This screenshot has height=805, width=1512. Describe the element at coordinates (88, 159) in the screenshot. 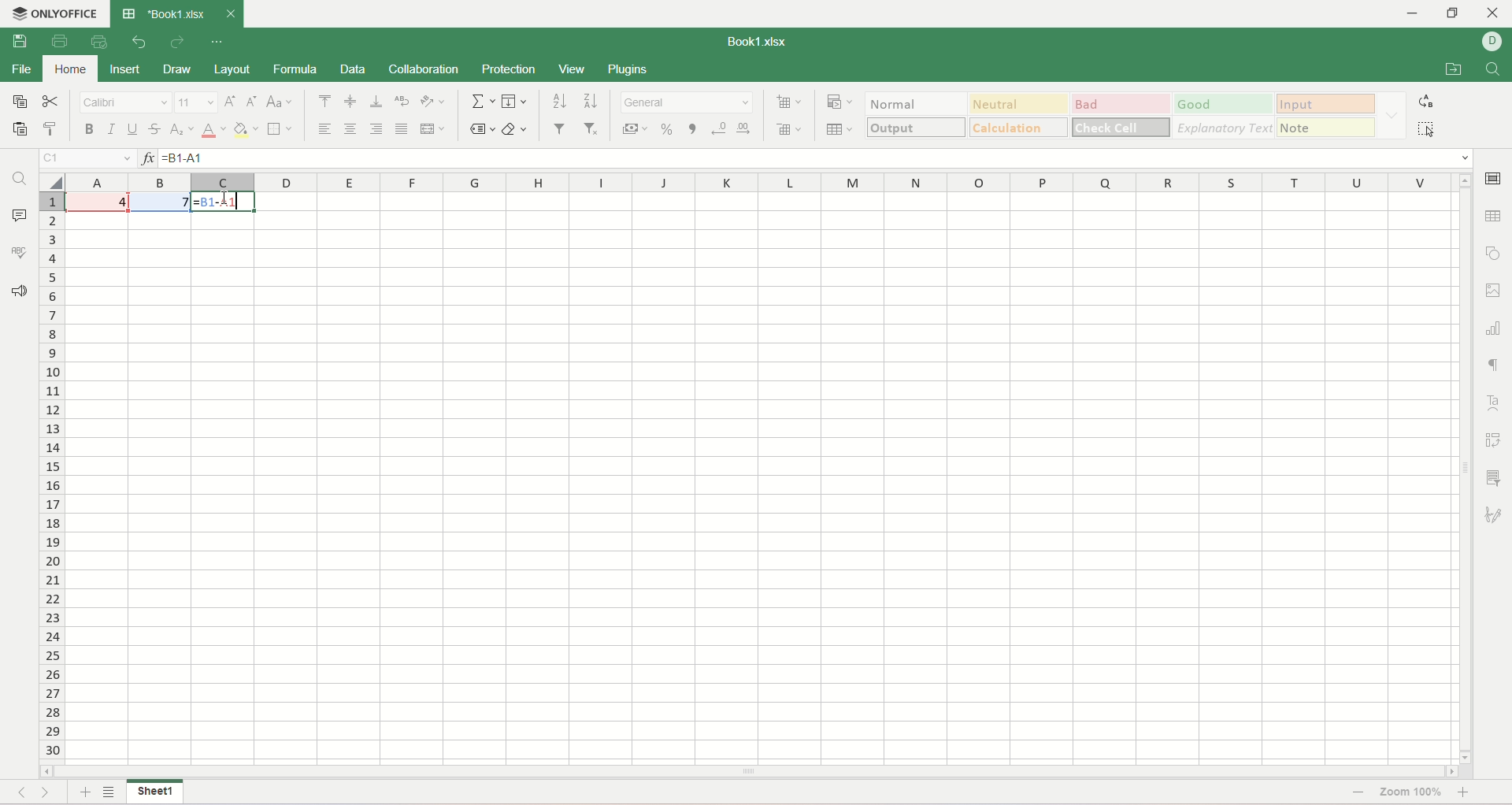

I see `cell position` at that location.